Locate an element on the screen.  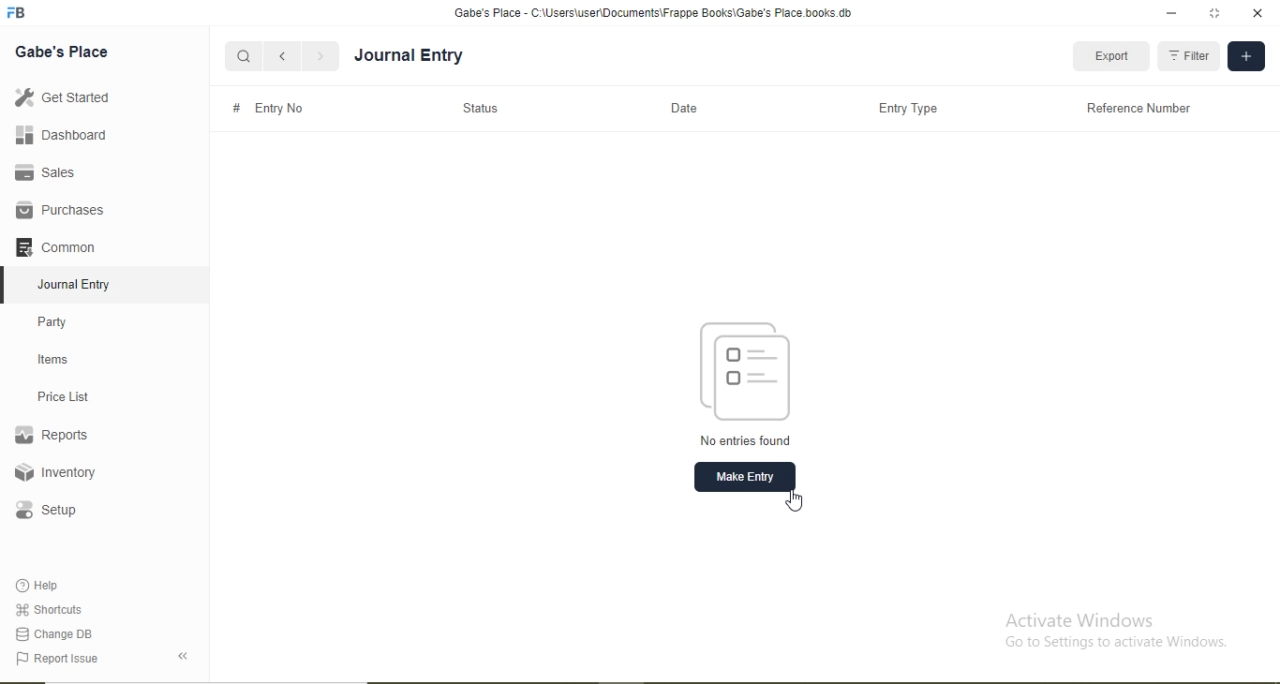
Date is located at coordinates (683, 107).